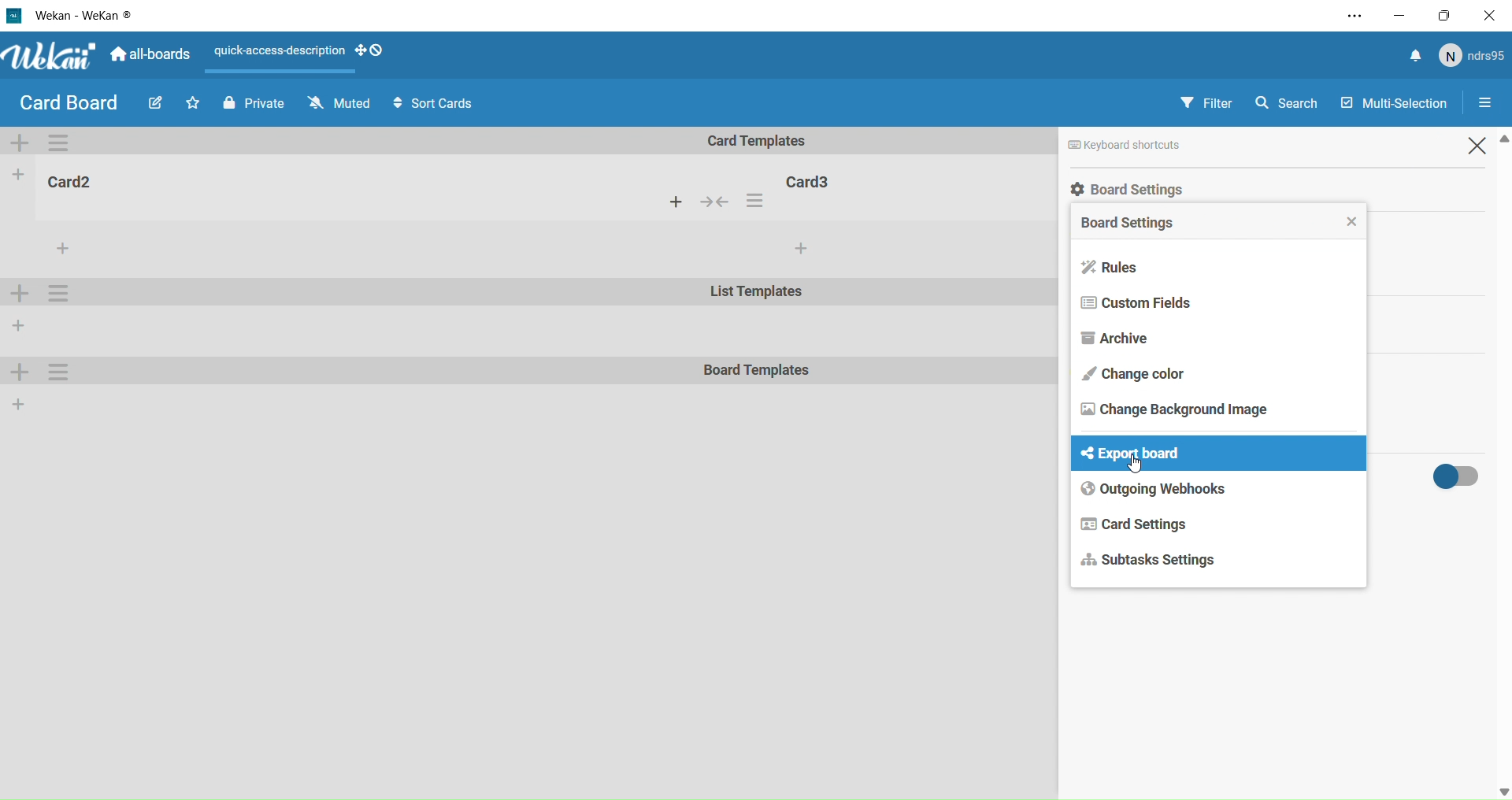  I want to click on Card board, so click(68, 103).